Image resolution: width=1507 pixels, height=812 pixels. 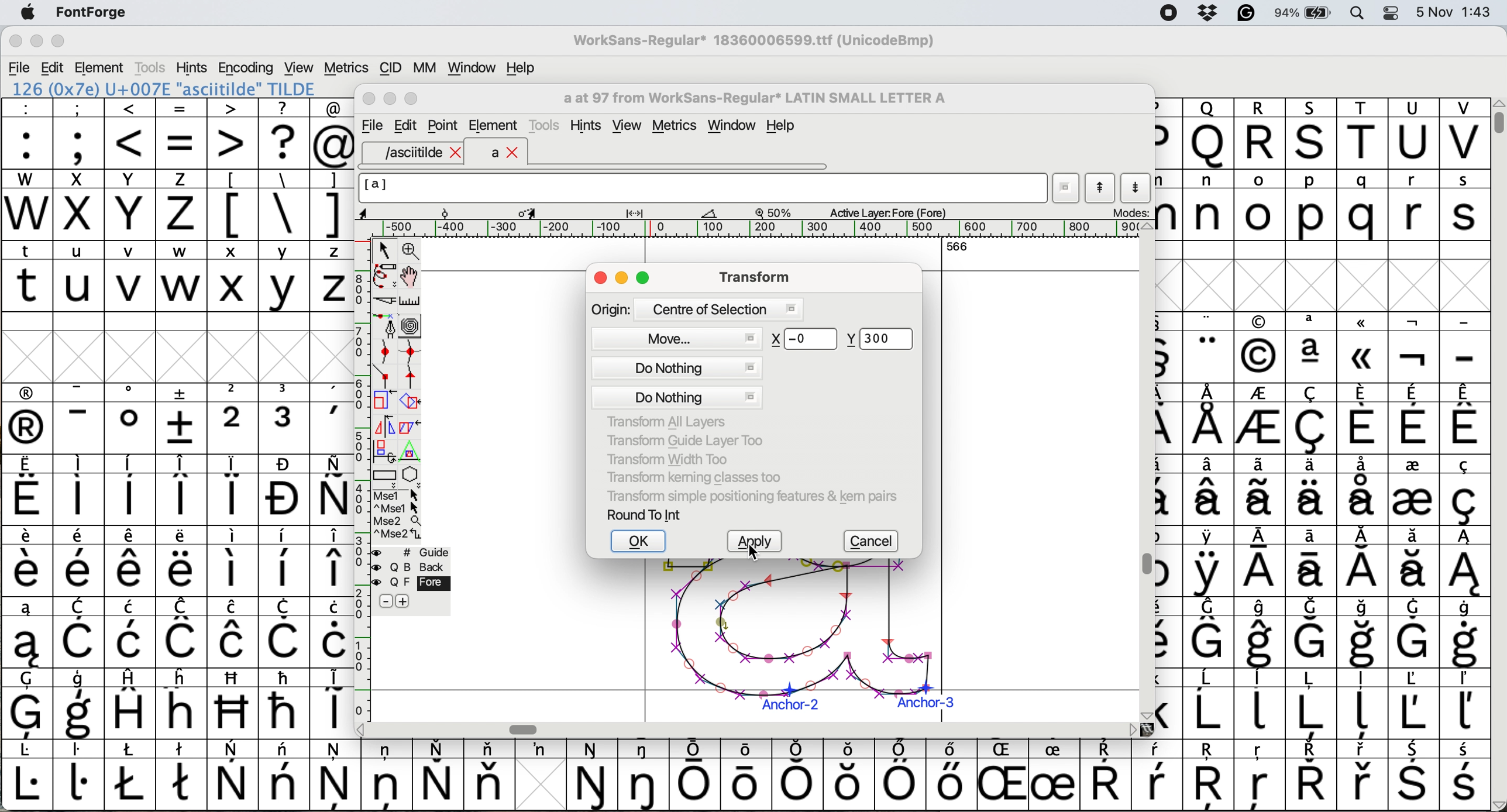 I want to click on grammarly, so click(x=1245, y=15).